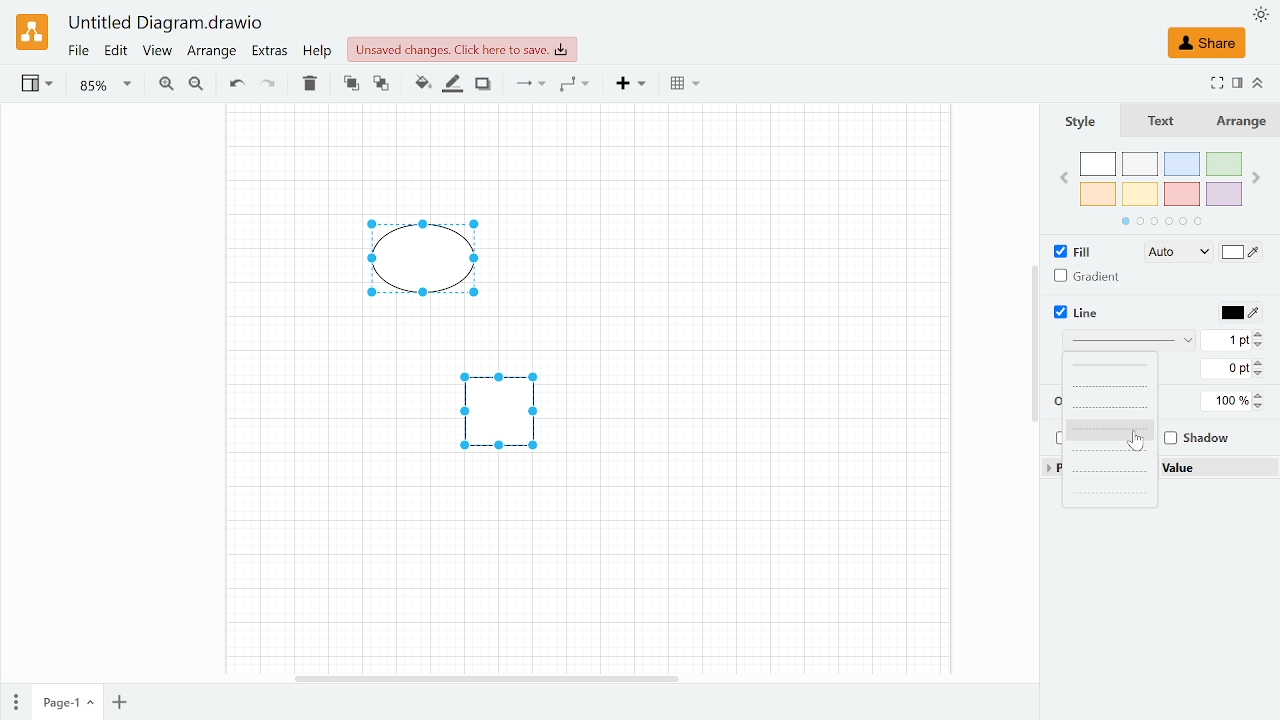  I want to click on Increase Opacity, so click(1260, 395).